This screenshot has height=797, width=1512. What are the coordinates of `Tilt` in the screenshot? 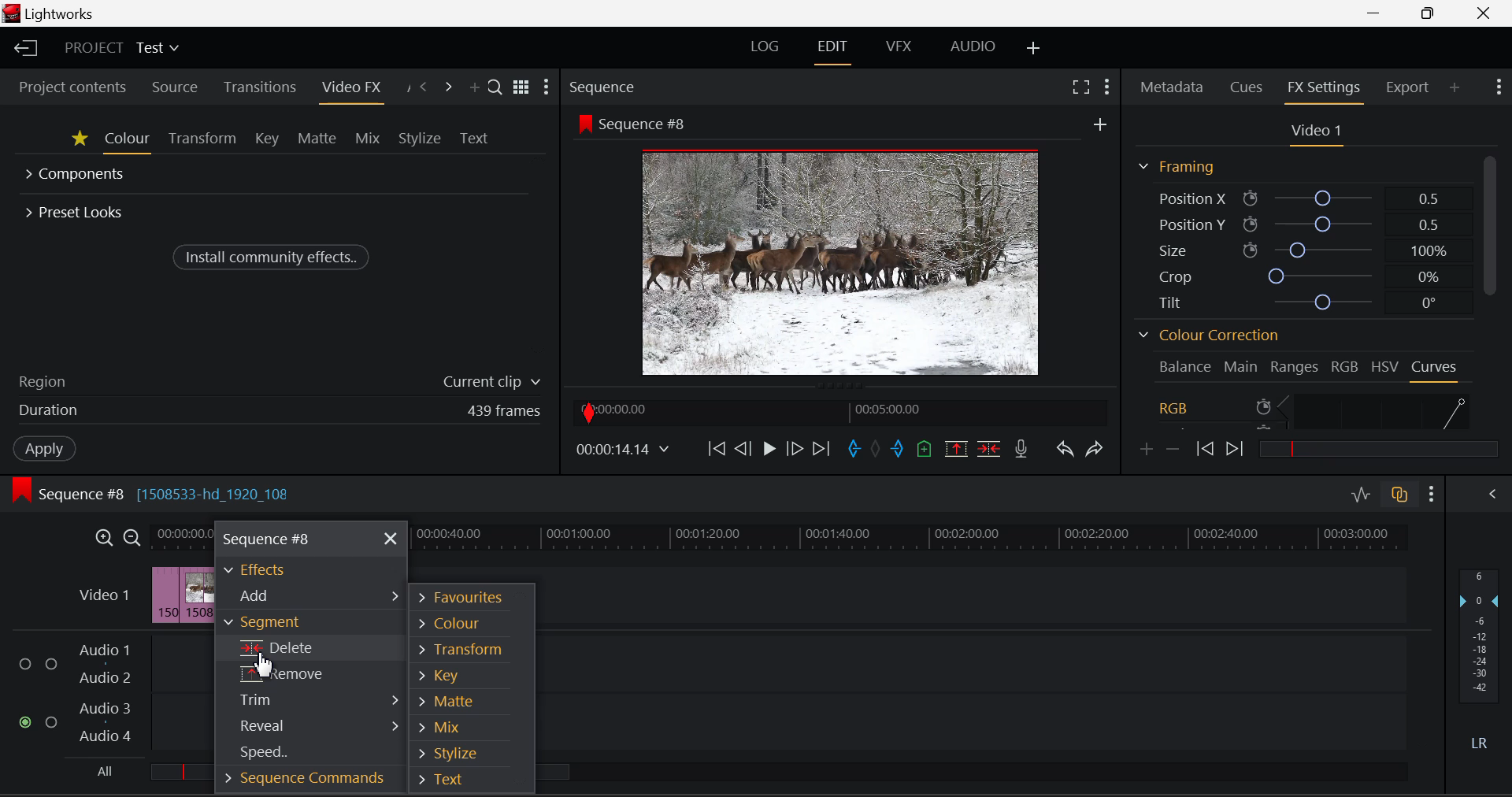 It's located at (1298, 301).